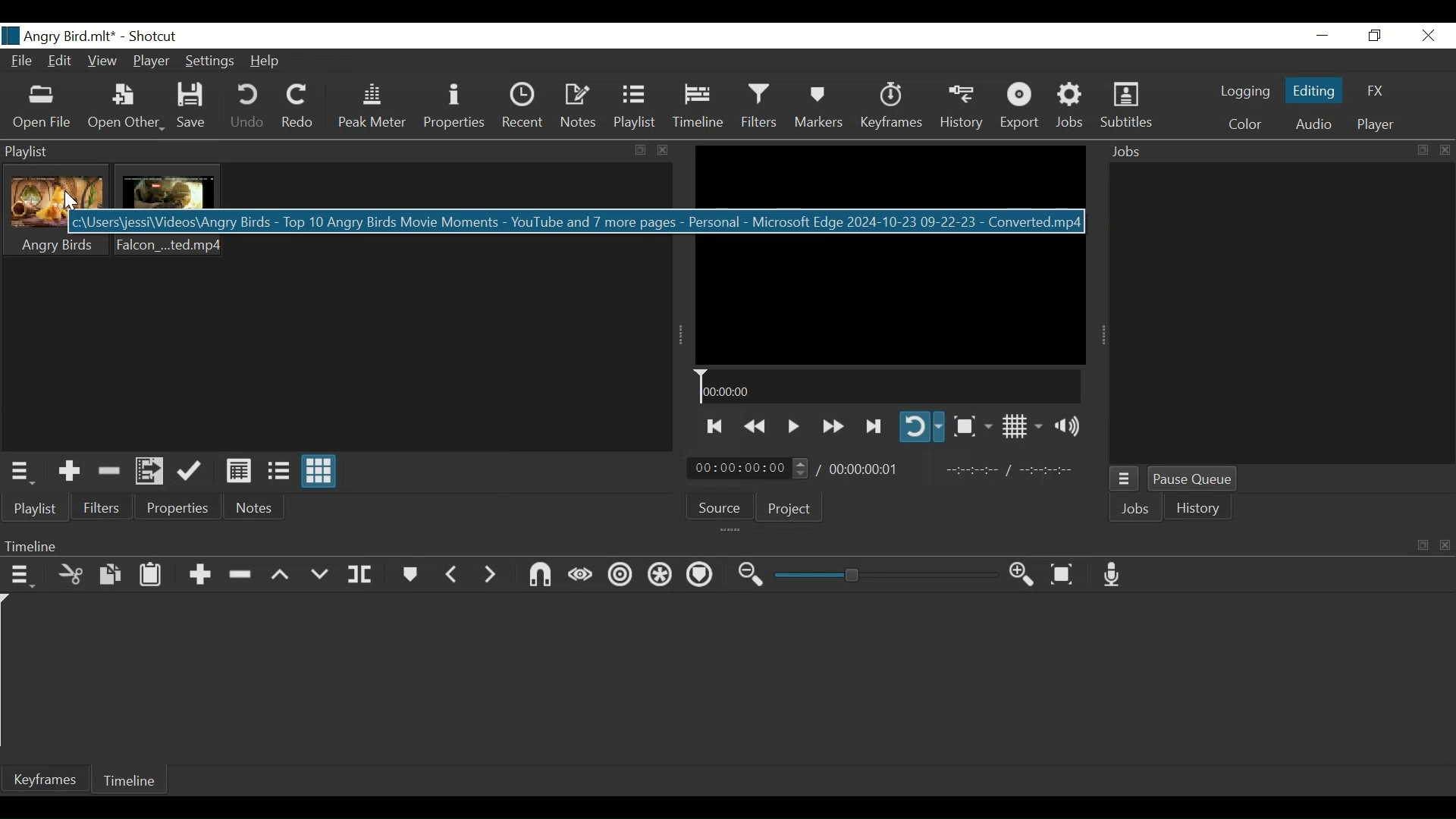  Describe the element at coordinates (638, 108) in the screenshot. I see `Playlist` at that location.